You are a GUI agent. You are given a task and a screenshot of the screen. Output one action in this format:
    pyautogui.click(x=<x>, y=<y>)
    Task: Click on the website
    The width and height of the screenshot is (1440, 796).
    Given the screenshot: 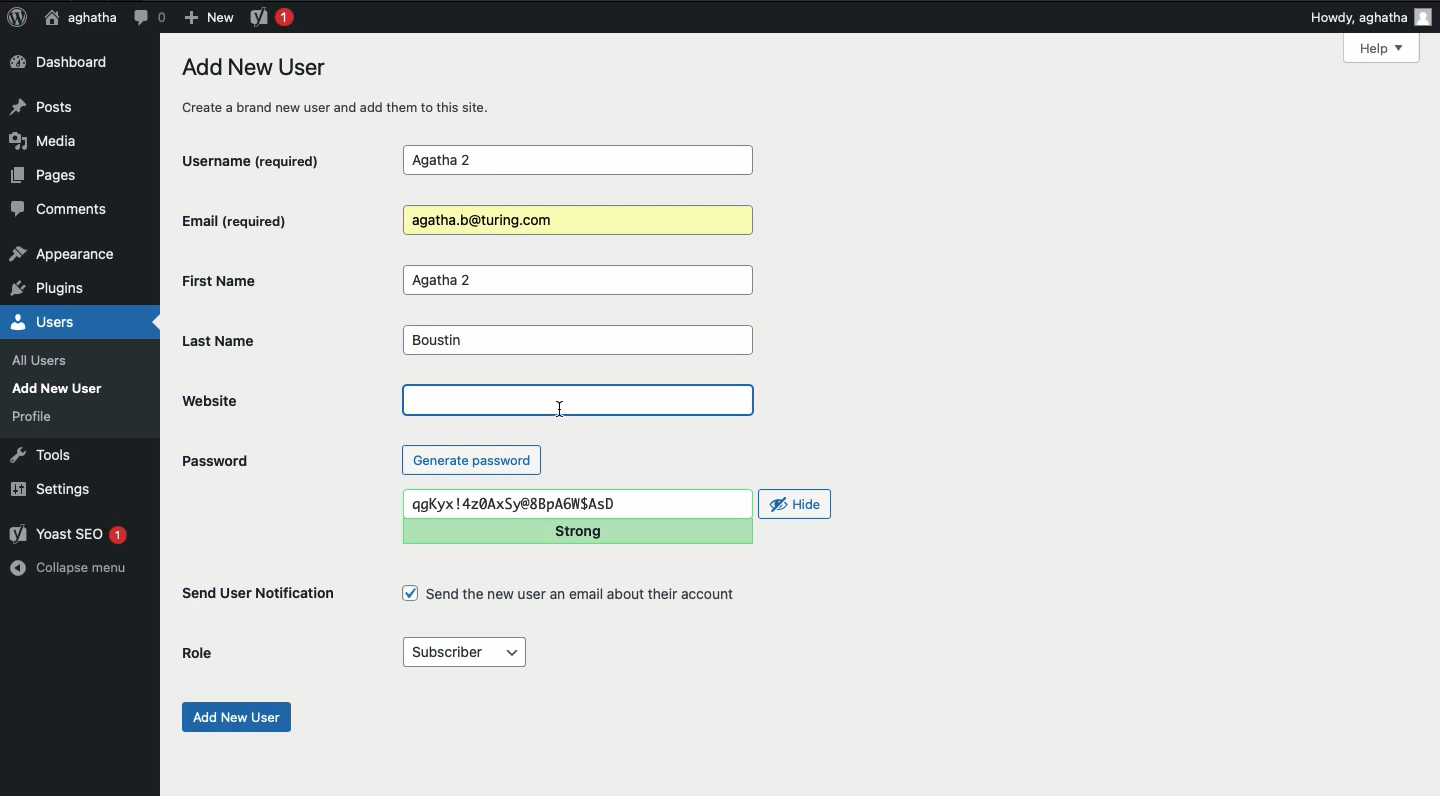 What is the action you would take?
    pyautogui.click(x=579, y=400)
    